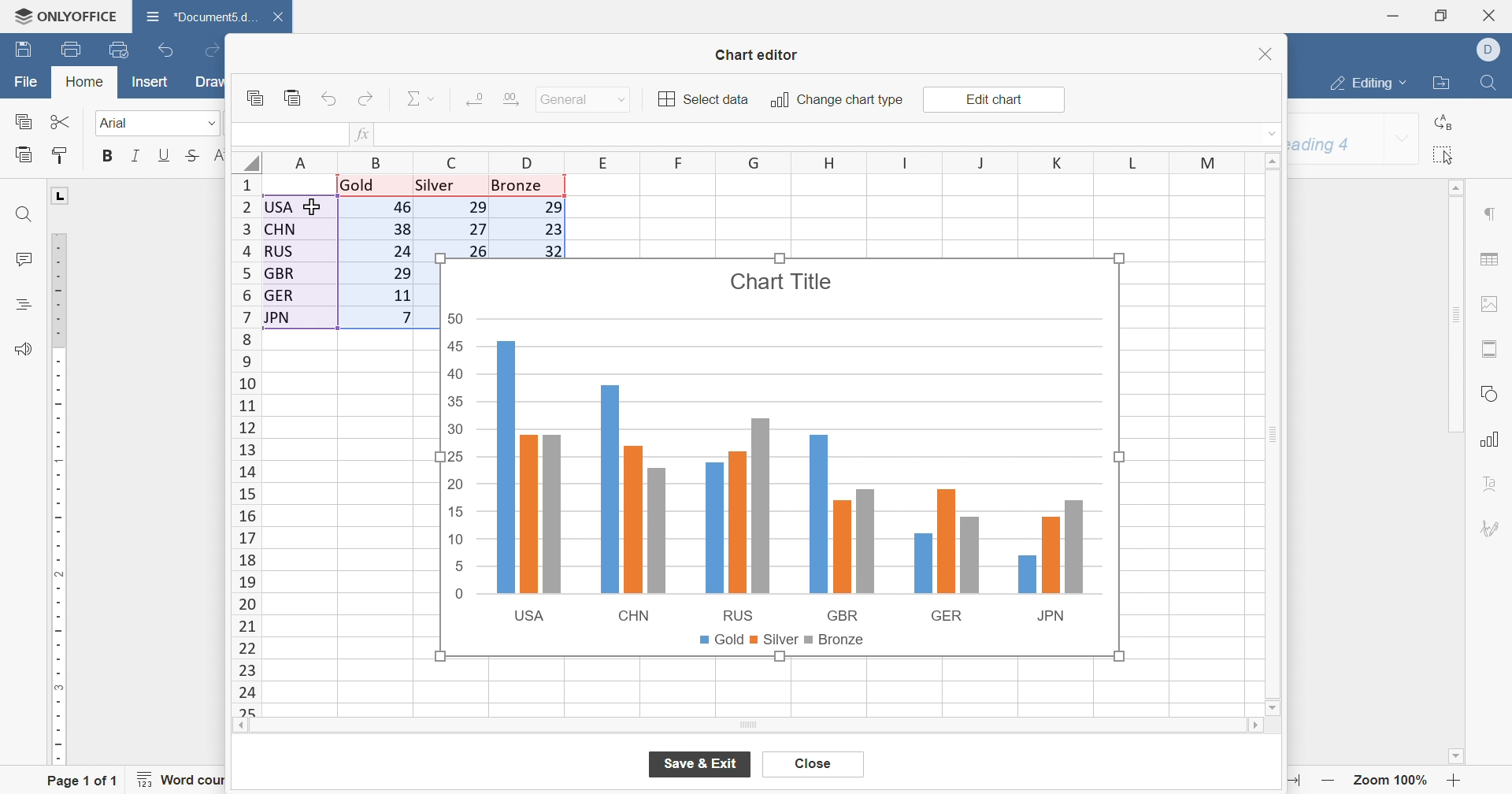  What do you see at coordinates (1489, 259) in the screenshot?
I see `table settings` at bounding box center [1489, 259].